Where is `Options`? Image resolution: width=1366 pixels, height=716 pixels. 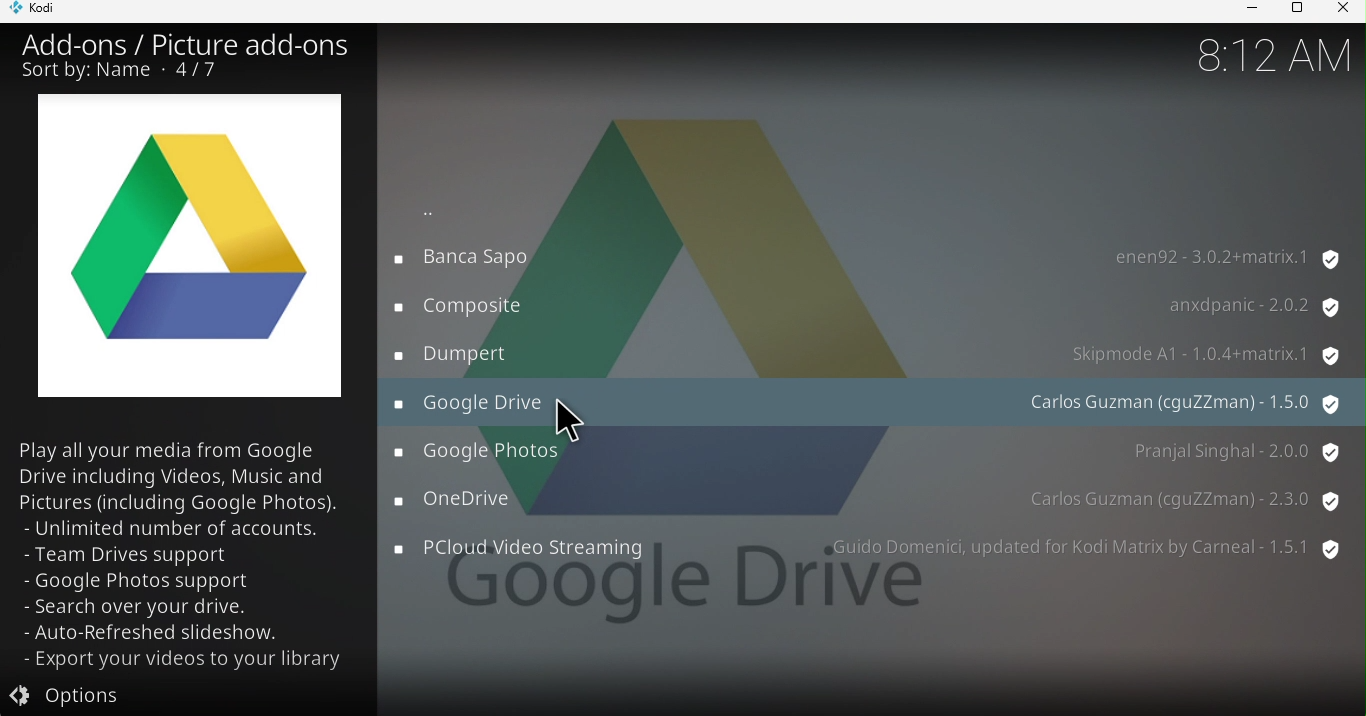
Options is located at coordinates (180, 695).